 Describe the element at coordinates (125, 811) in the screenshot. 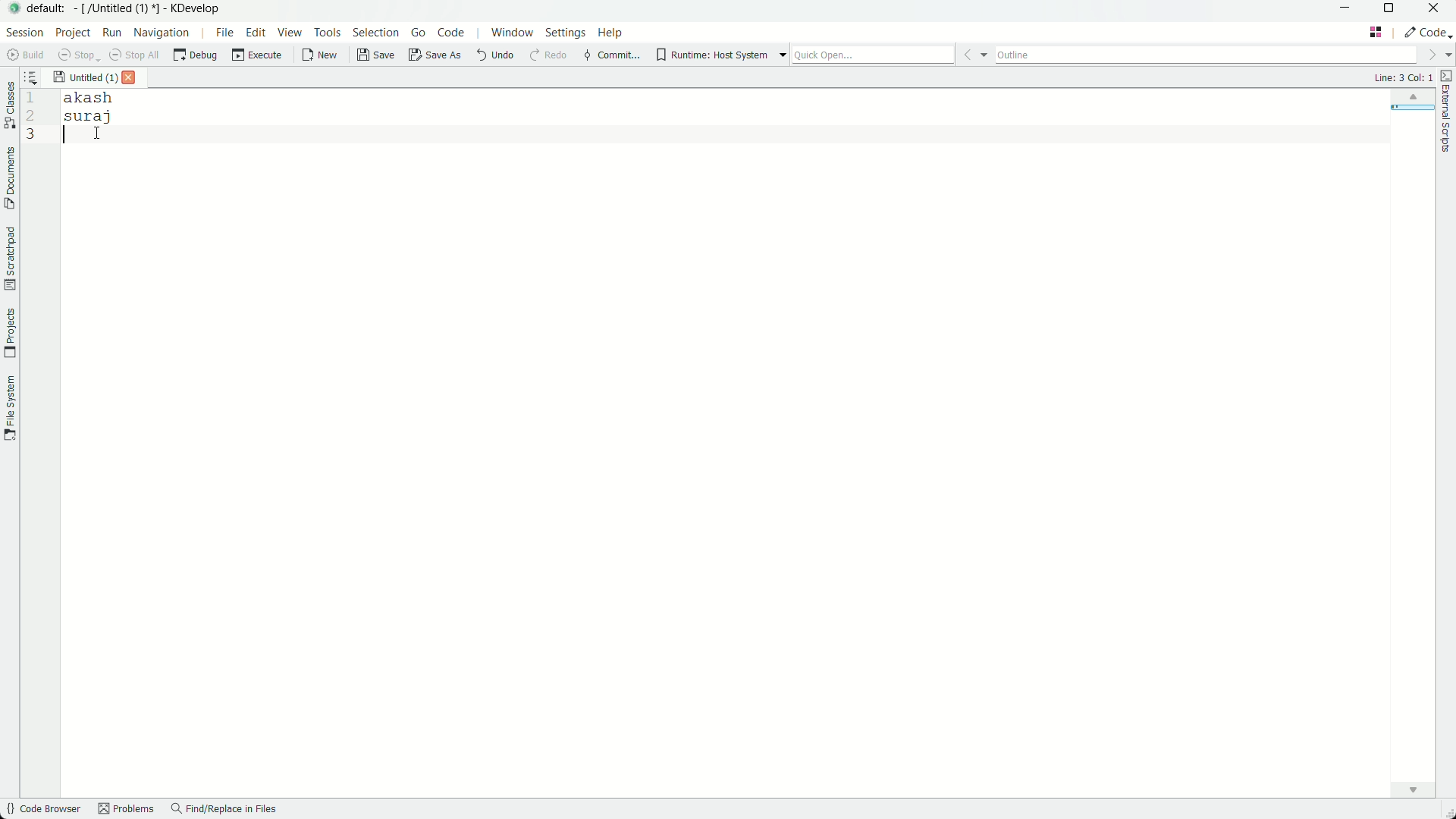

I see `problems` at that location.